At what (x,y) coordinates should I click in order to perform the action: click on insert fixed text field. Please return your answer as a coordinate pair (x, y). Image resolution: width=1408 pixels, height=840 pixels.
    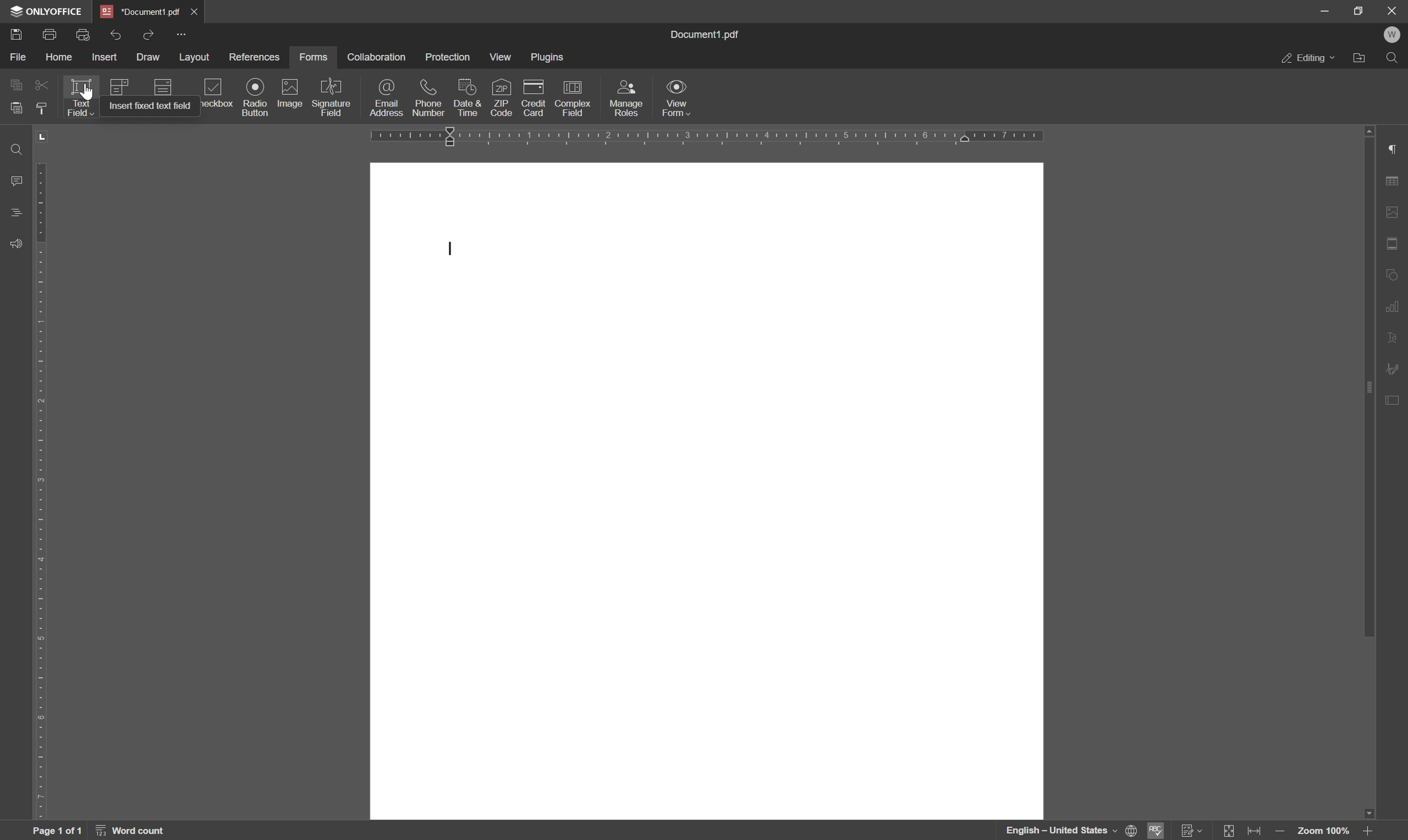
    Looking at the image, I should click on (149, 106).